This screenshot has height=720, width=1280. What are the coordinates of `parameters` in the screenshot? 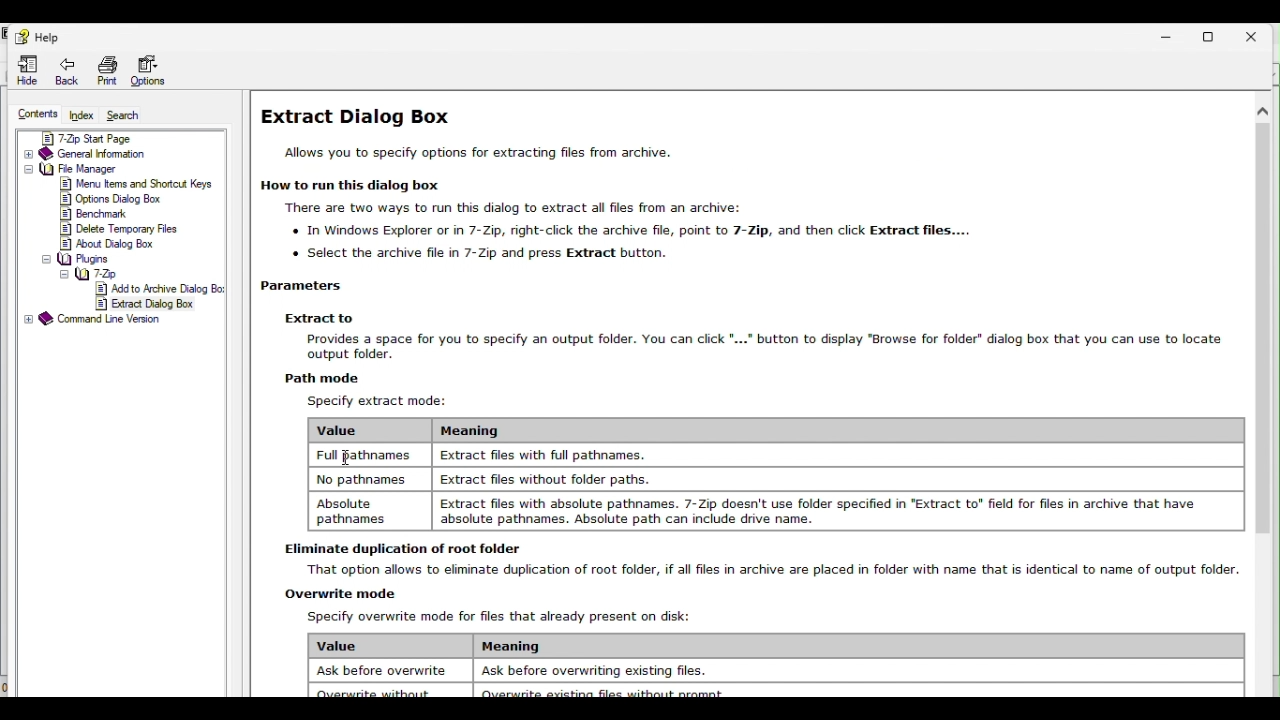 It's located at (316, 286).